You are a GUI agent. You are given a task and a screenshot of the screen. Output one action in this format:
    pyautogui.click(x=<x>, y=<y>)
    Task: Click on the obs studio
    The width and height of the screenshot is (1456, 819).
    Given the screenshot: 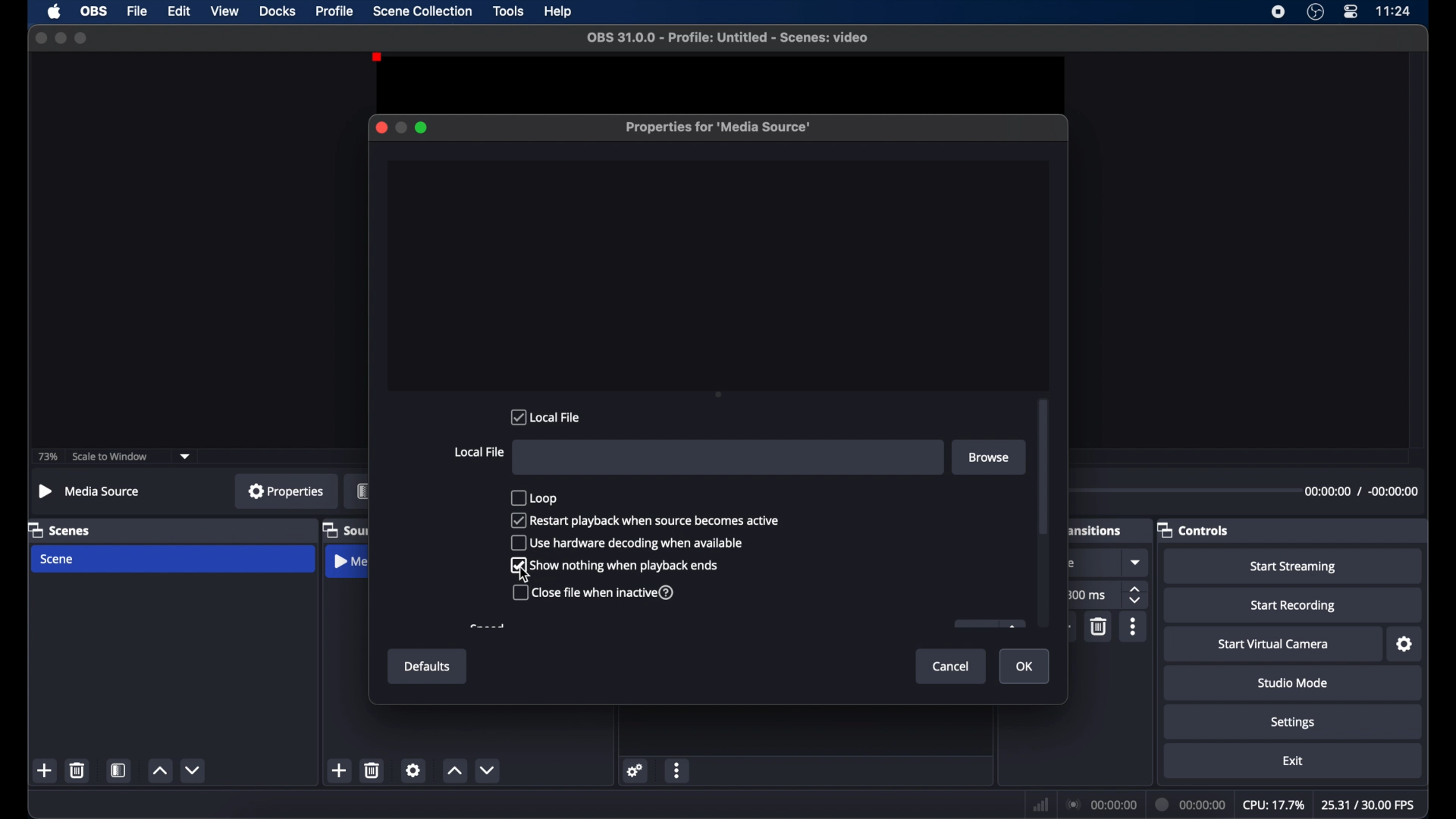 What is the action you would take?
    pyautogui.click(x=1314, y=12)
    